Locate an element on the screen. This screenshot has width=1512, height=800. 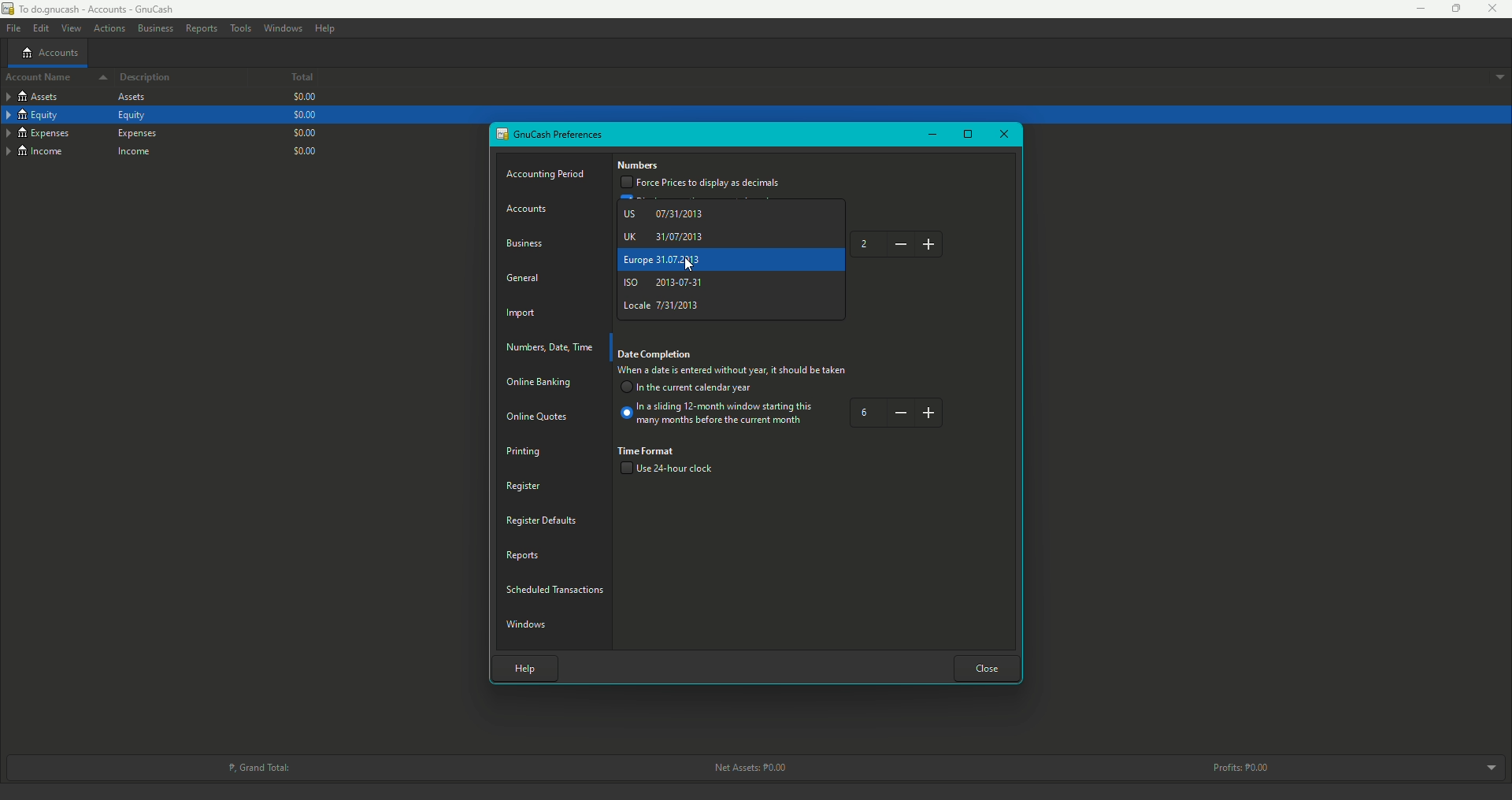
Tools is located at coordinates (240, 28).